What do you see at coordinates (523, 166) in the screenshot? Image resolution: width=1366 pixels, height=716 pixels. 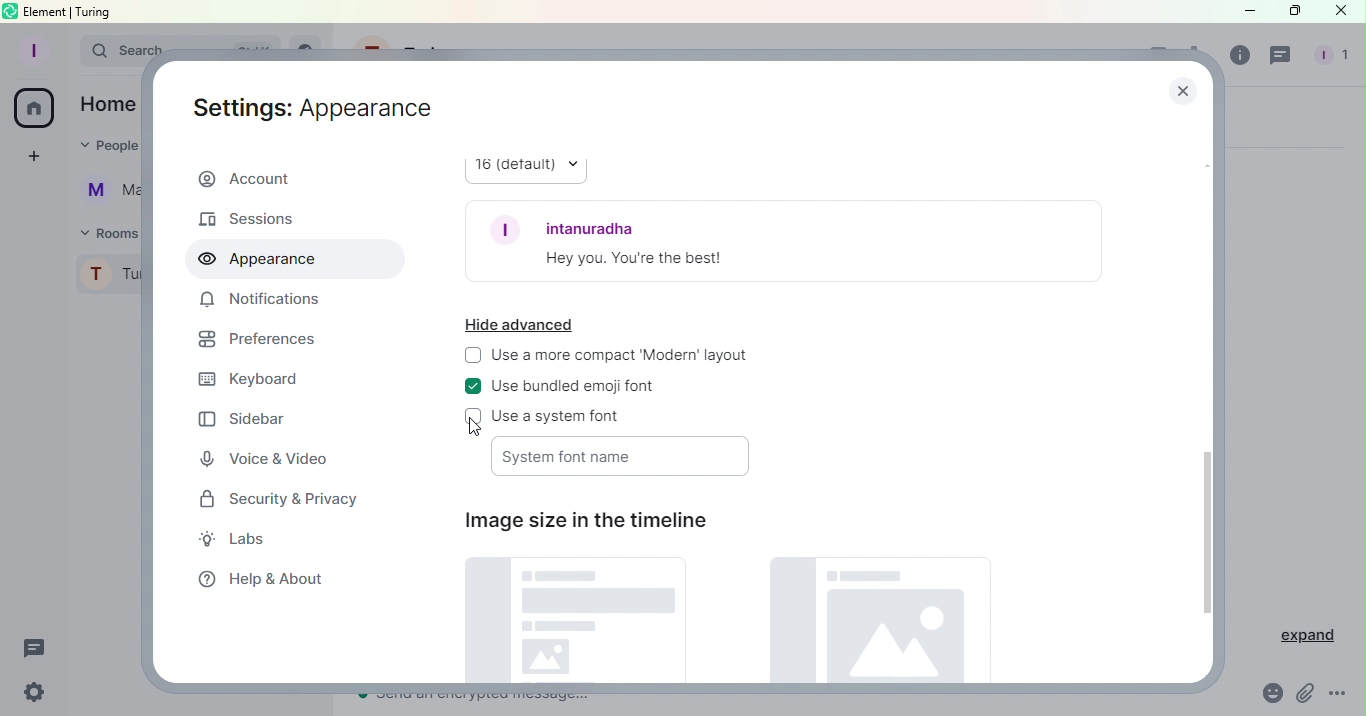 I see `16 (default)` at bounding box center [523, 166].